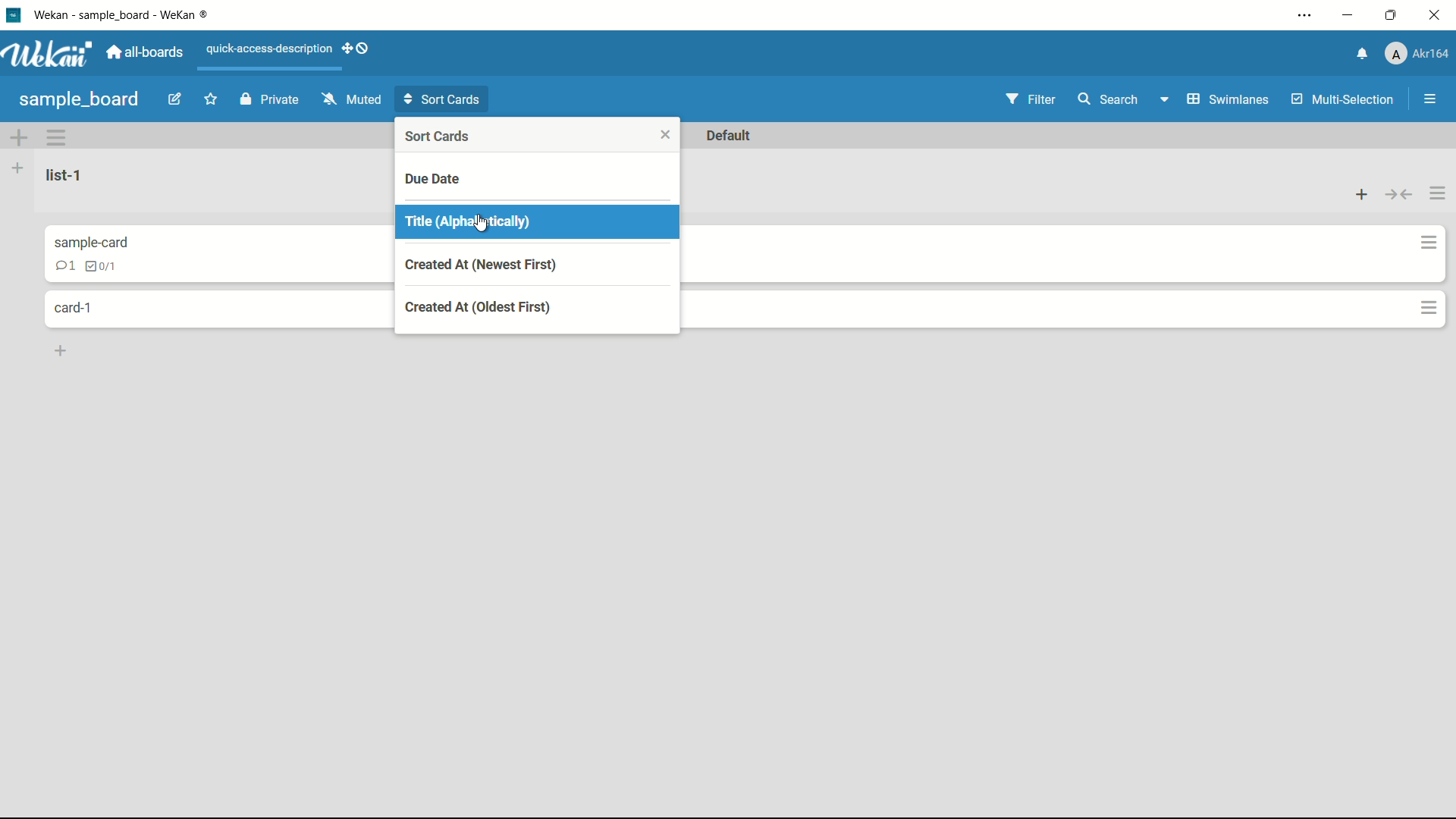 The image size is (1456, 819). I want to click on all boards, so click(145, 53).